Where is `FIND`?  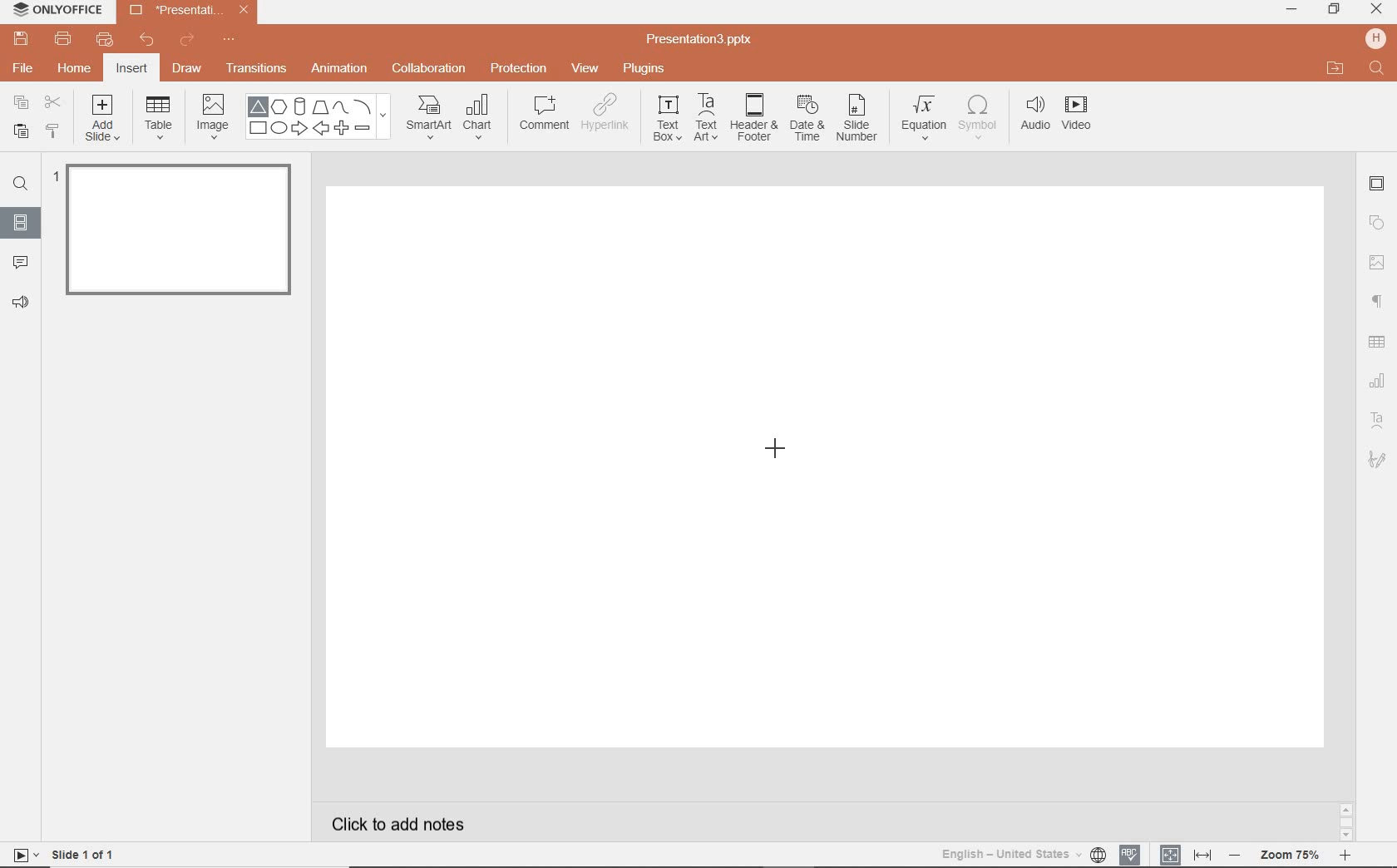
FIND is located at coordinates (1378, 70).